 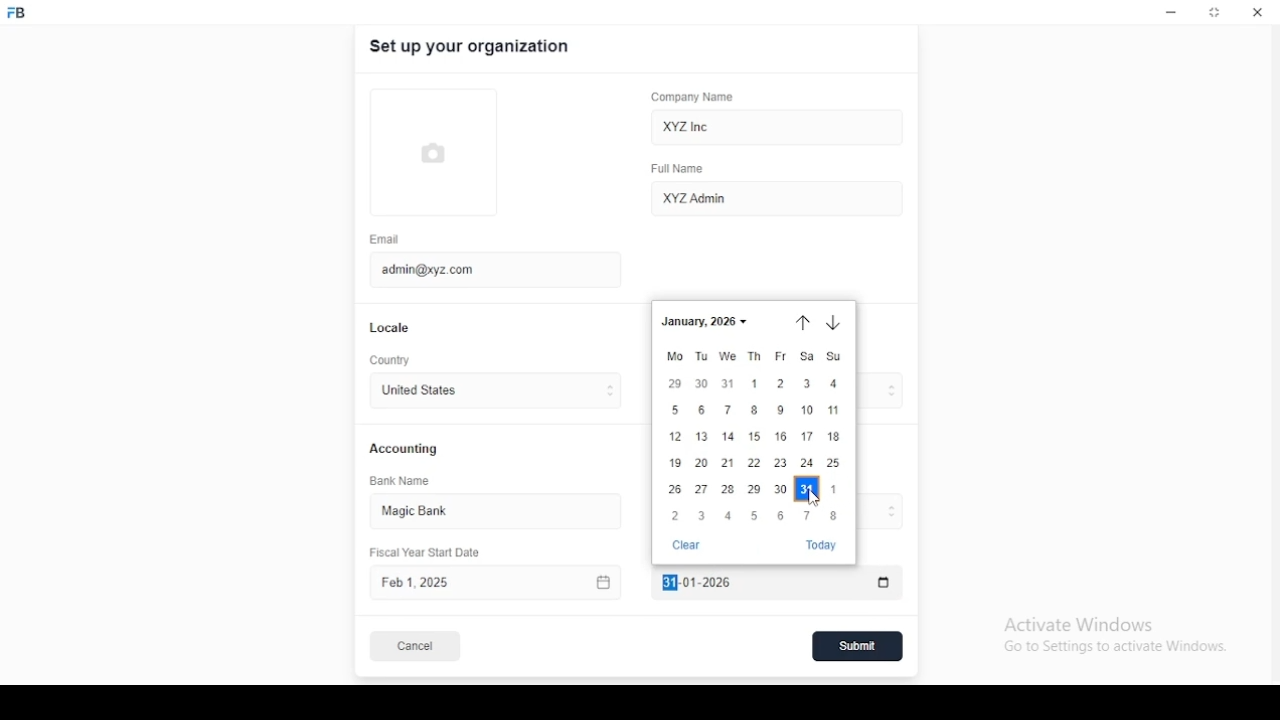 I want to click on 28, so click(x=727, y=490).